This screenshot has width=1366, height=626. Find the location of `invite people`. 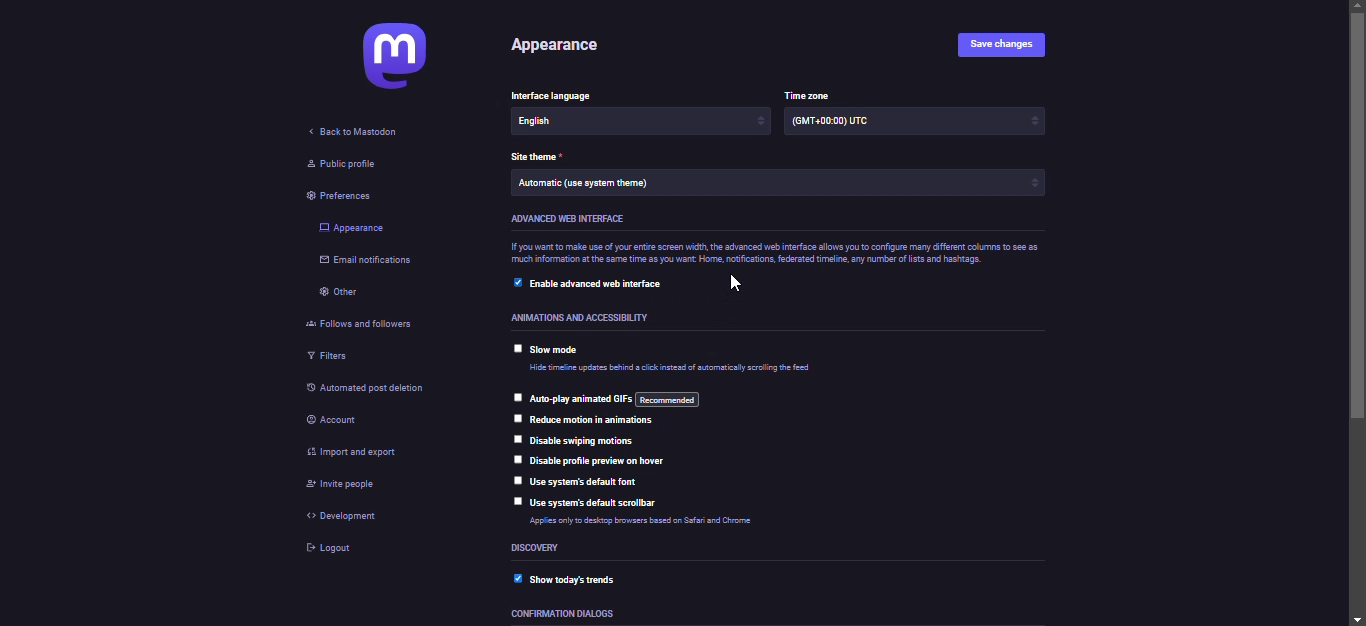

invite people is located at coordinates (334, 487).